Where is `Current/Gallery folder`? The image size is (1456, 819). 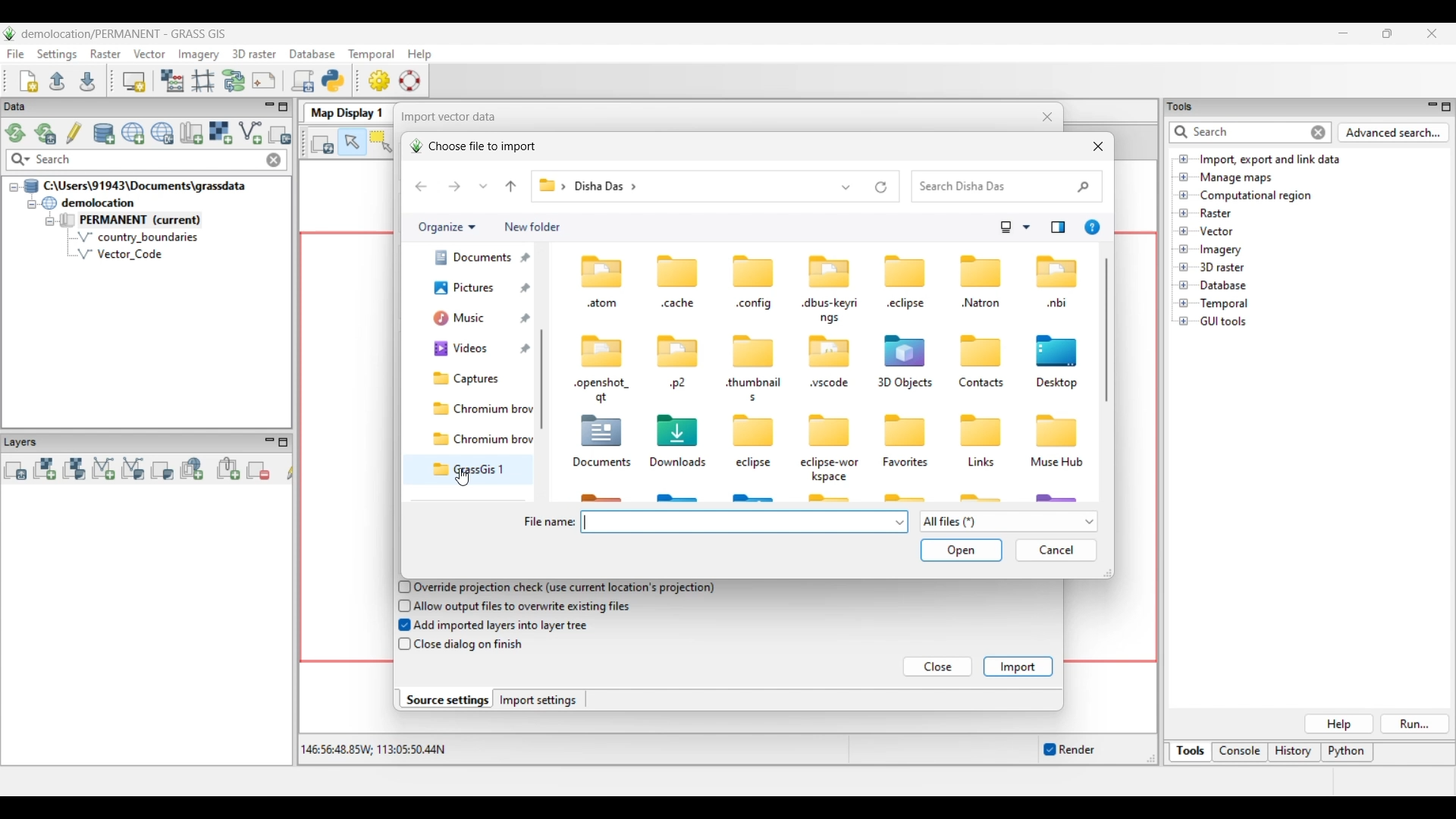
Current/Gallery folder is located at coordinates (469, 293).